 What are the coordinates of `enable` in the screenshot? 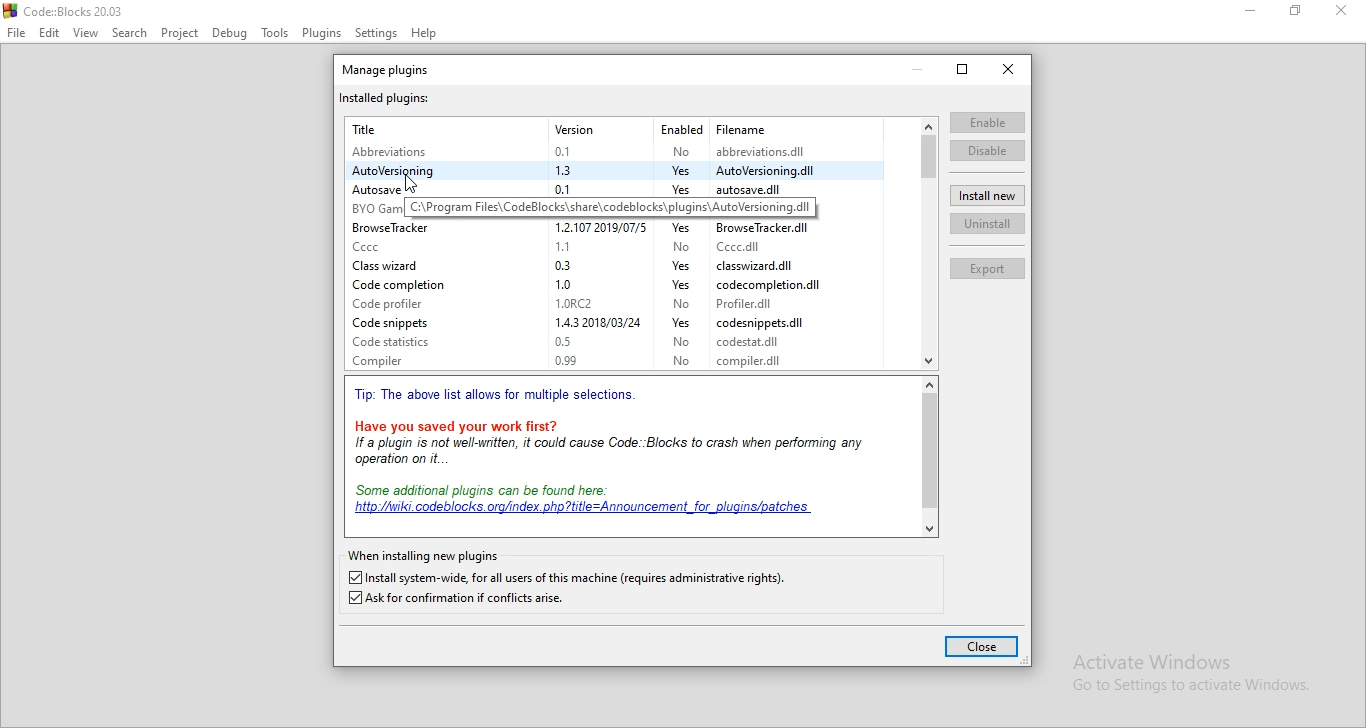 It's located at (989, 123).